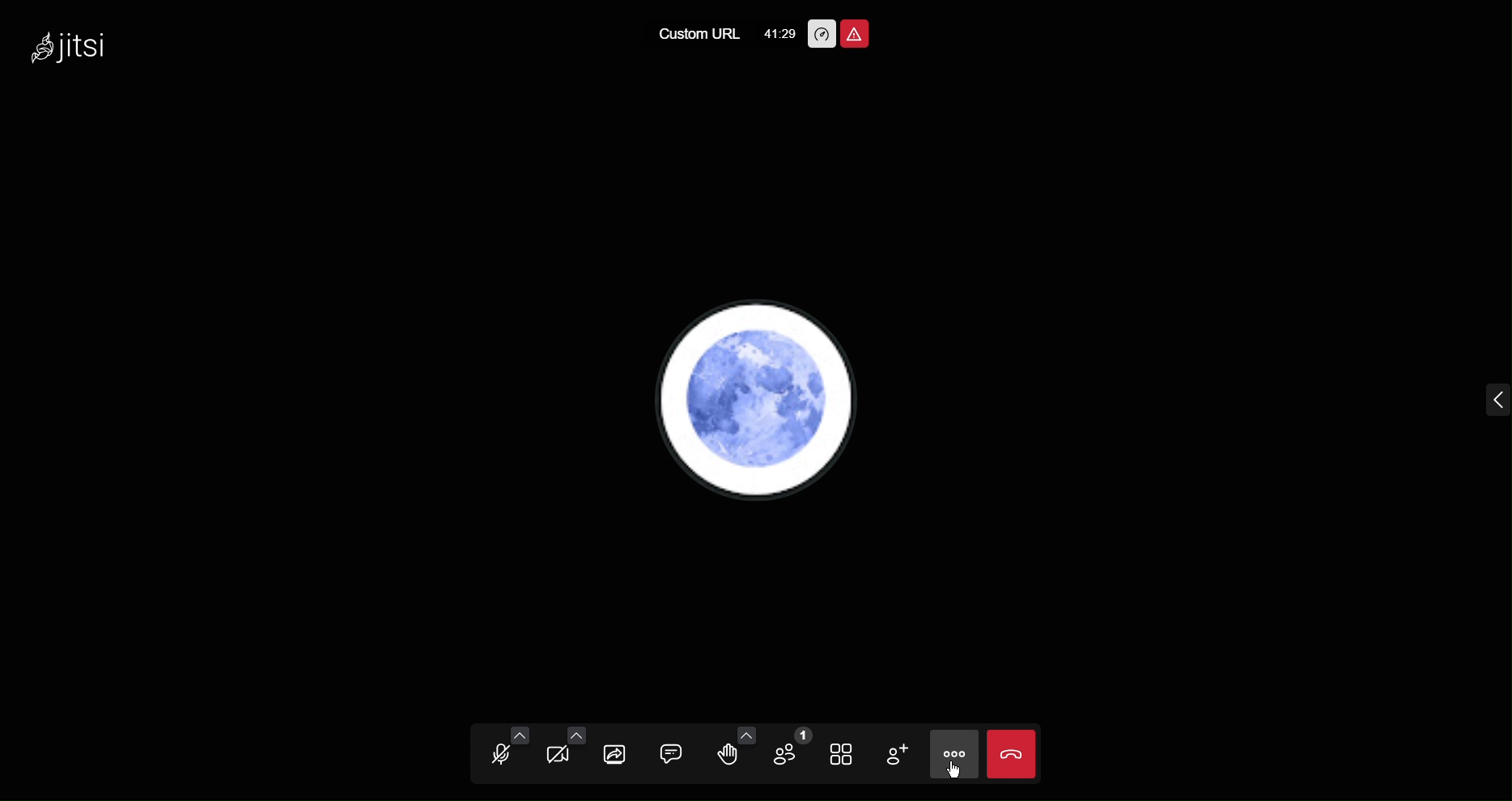 This screenshot has width=1512, height=801. Describe the element at coordinates (792, 751) in the screenshot. I see `Participants` at that location.